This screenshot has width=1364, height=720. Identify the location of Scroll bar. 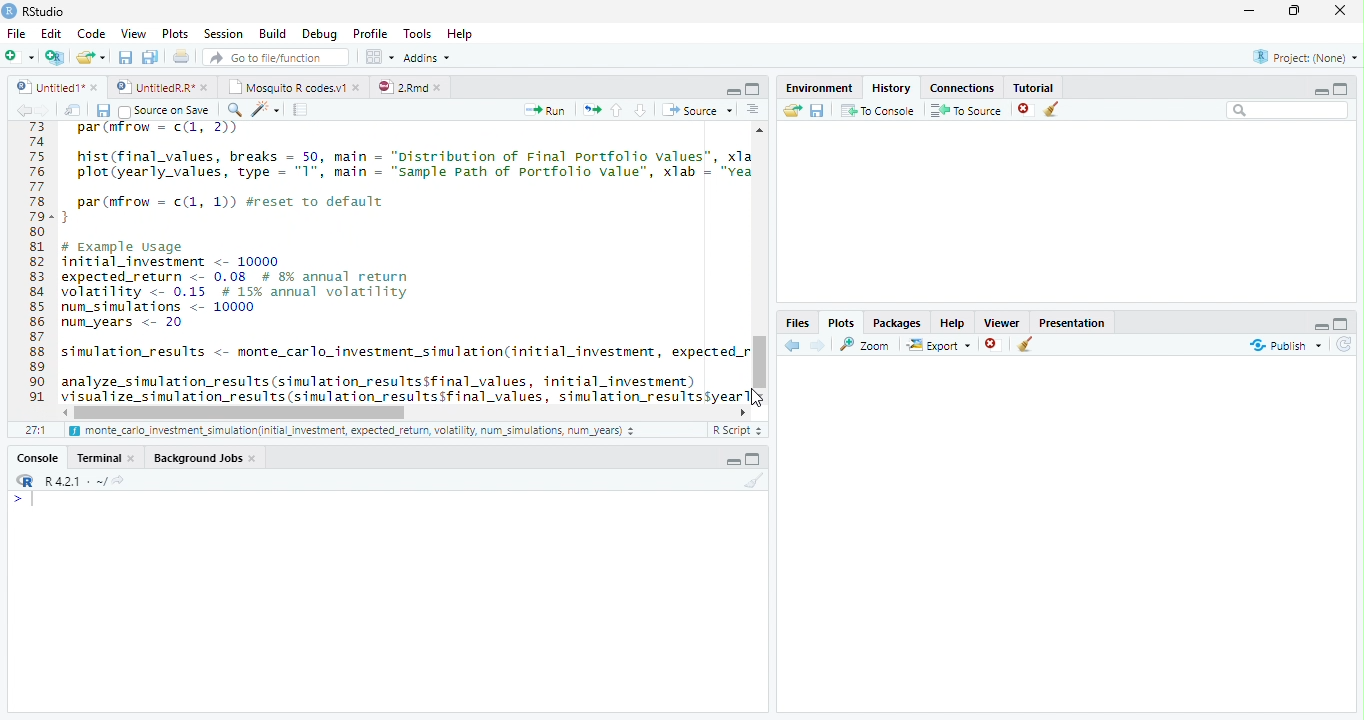
(244, 412).